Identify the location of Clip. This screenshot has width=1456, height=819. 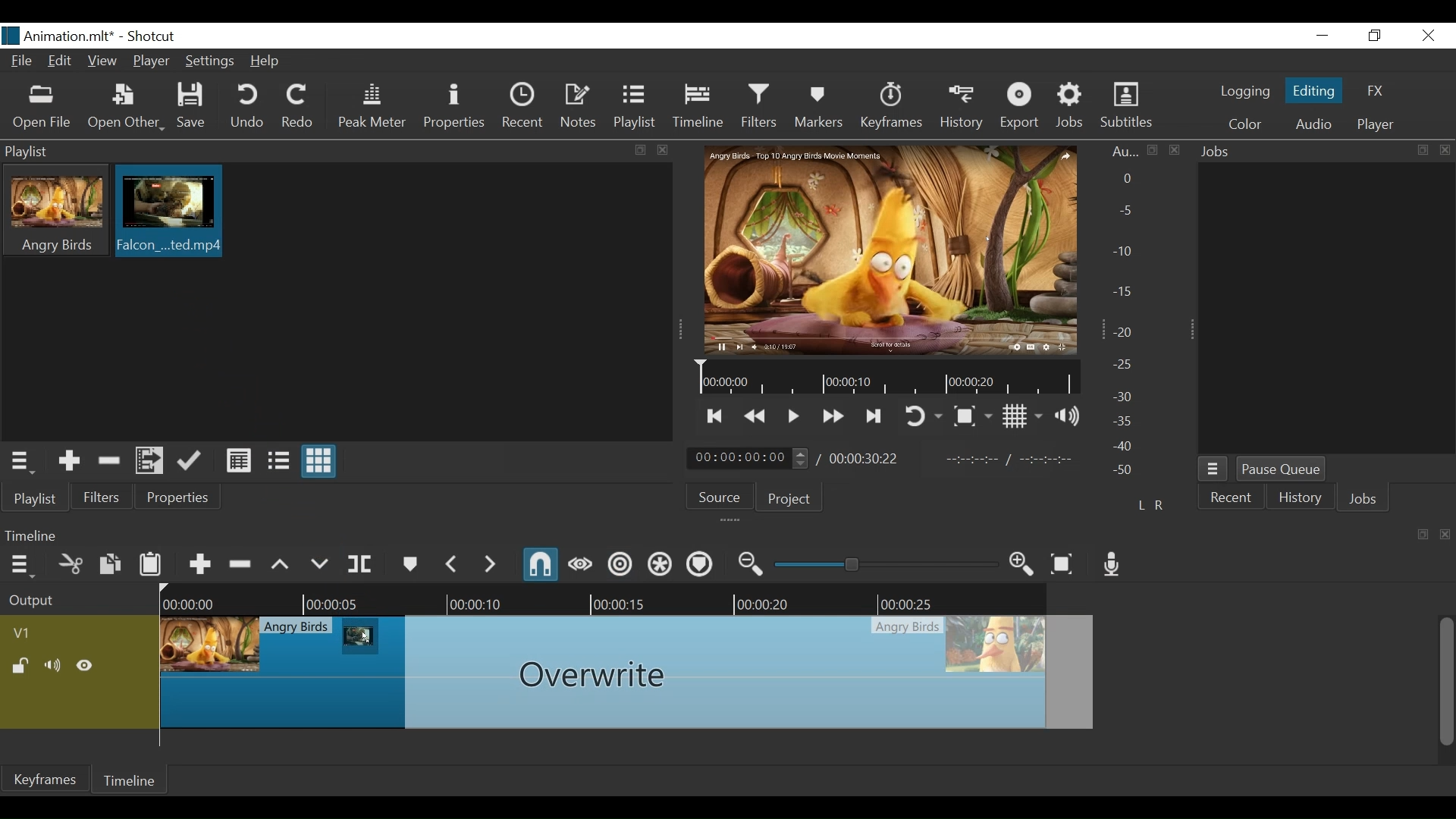
(629, 675).